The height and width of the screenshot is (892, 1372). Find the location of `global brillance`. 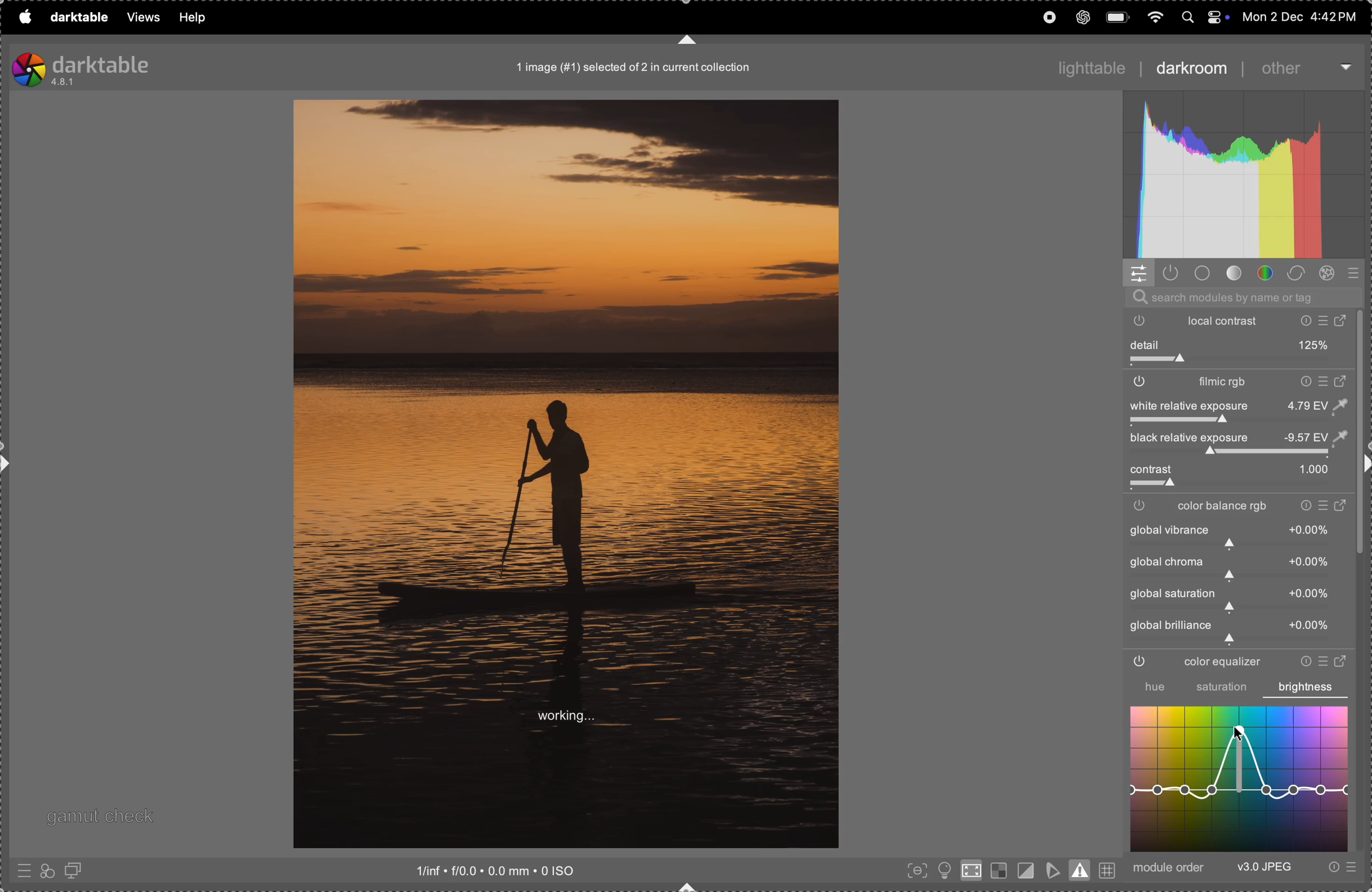

global brillance is located at coordinates (1232, 631).